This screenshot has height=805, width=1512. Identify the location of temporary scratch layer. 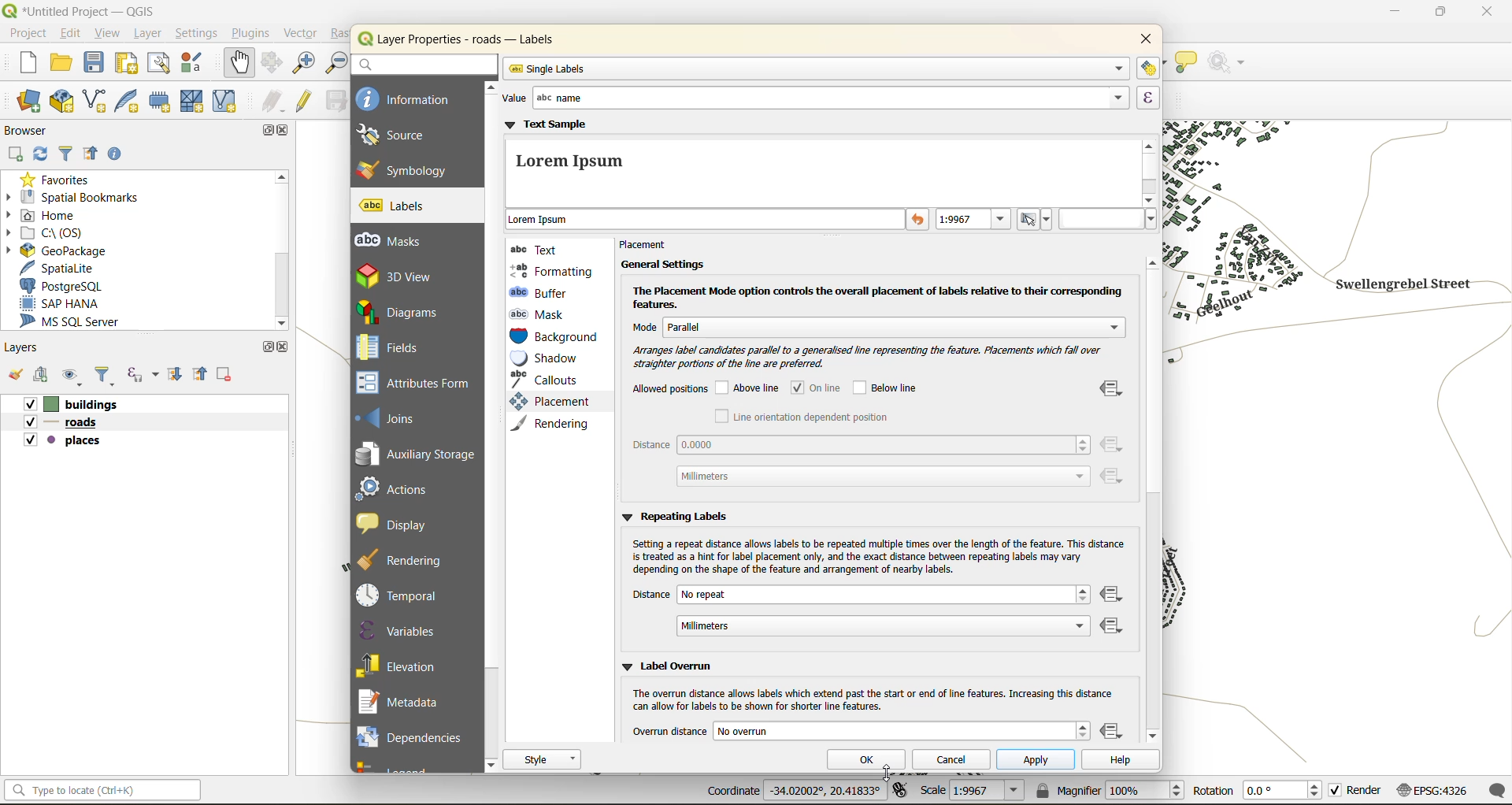
(161, 101).